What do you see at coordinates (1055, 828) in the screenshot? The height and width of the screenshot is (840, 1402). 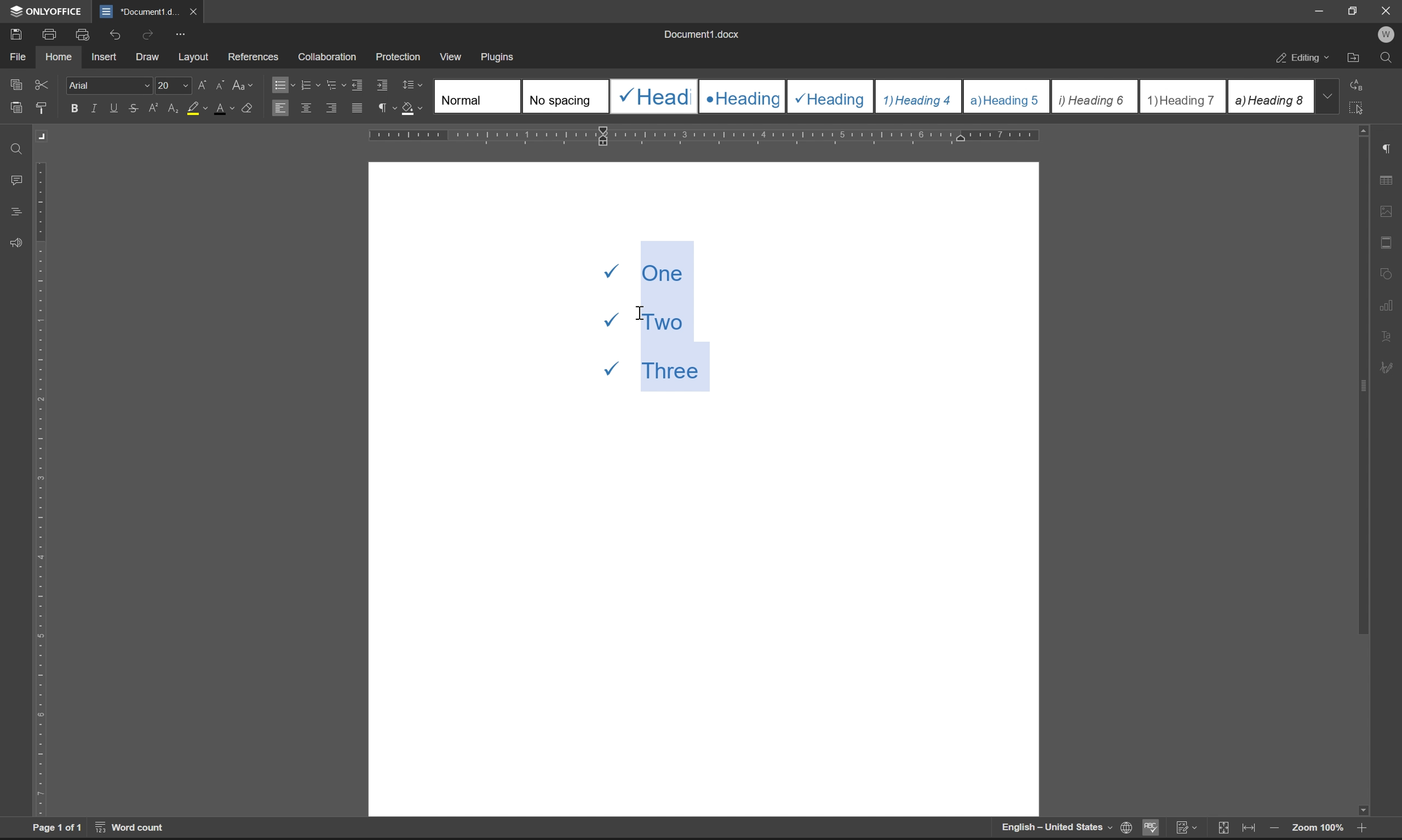 I see `English-United States` at bounding box center [1055, 828].